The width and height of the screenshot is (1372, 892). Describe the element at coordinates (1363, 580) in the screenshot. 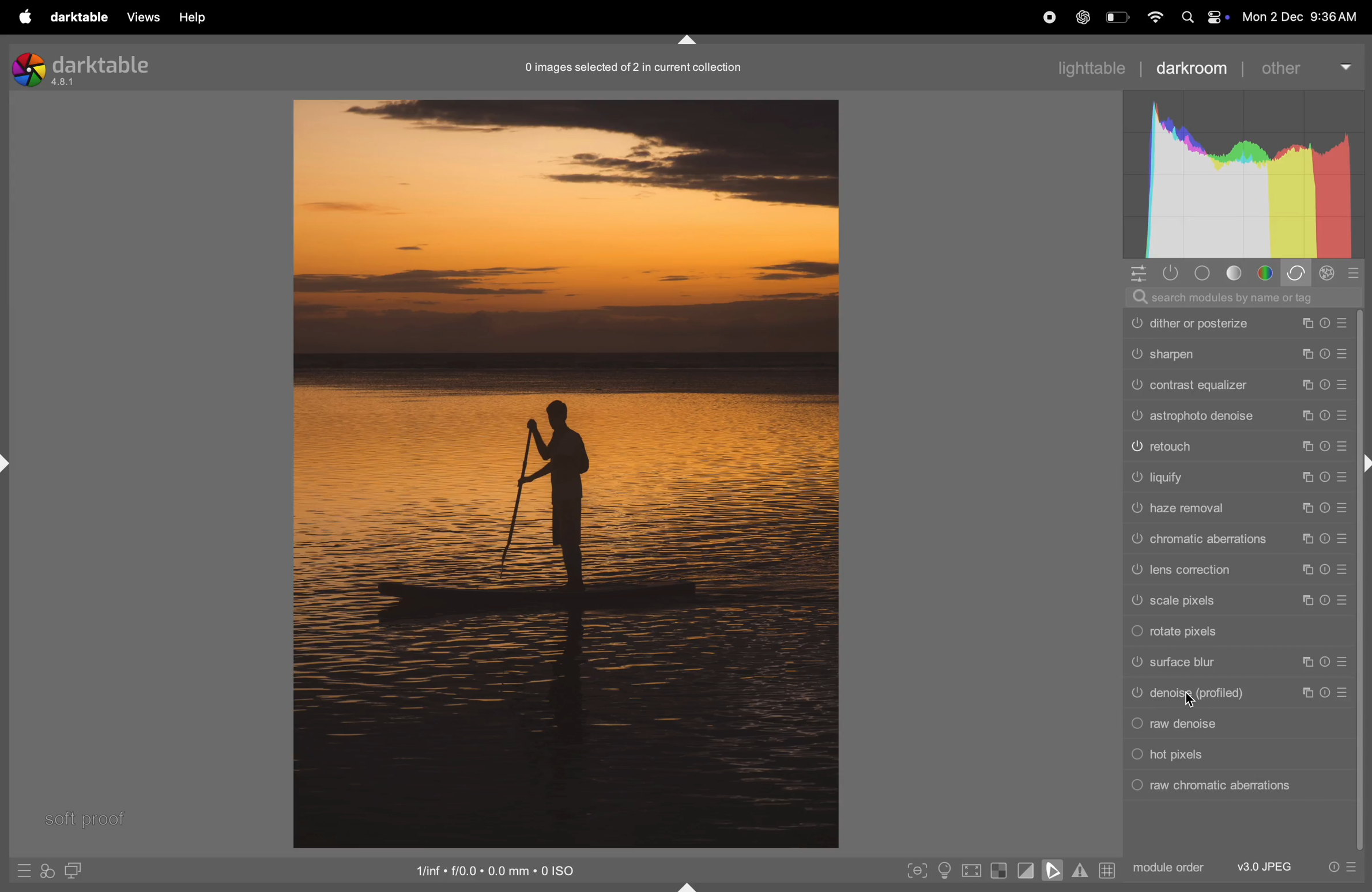

I see `task bar` at that location.